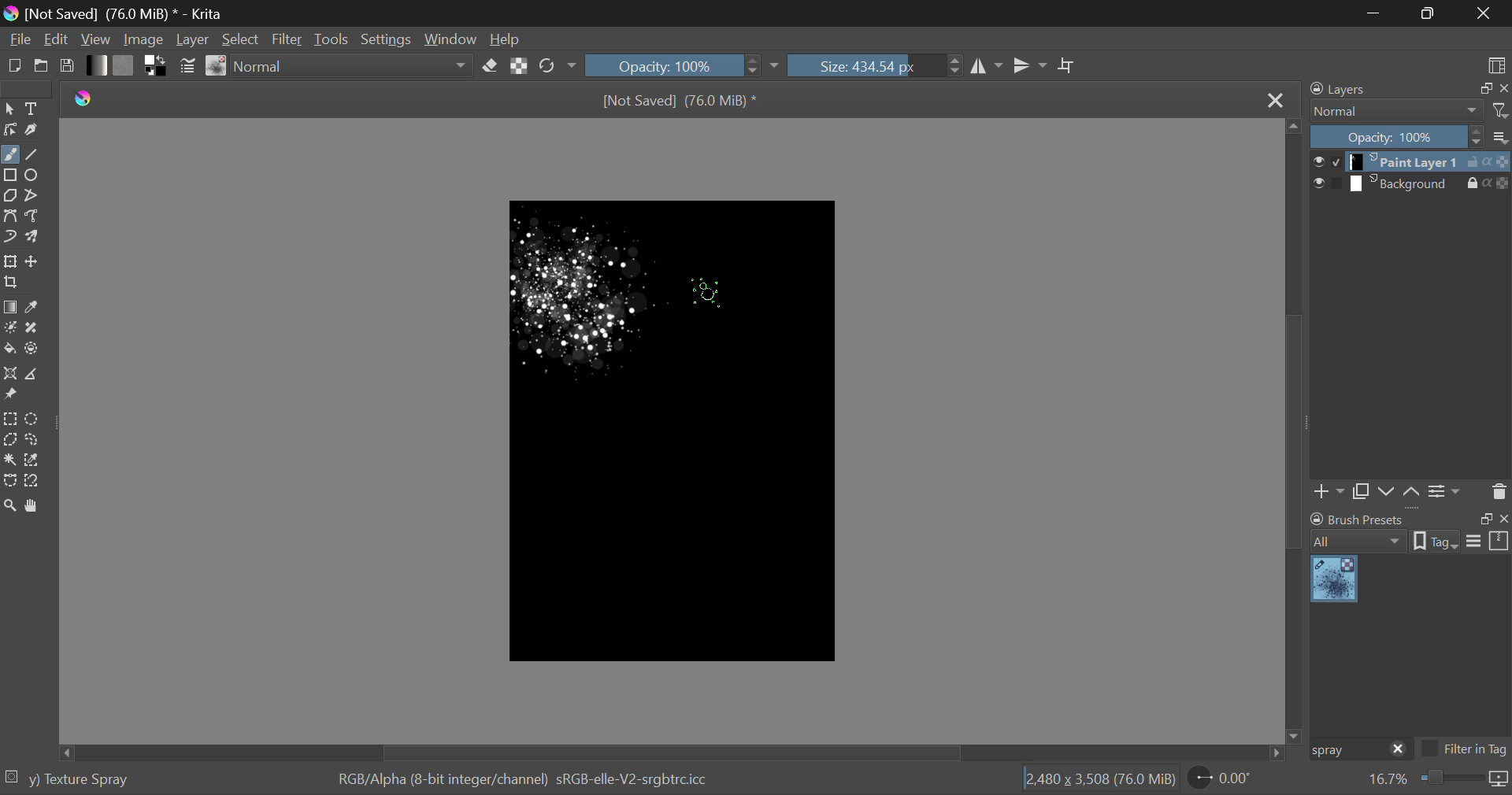 The height and width of the screenshot is (795, 1512). What do you see at coordinates (1295, 429) in the screenshot?
I see `Scroll Bar` at bounding box center [1295, 429].